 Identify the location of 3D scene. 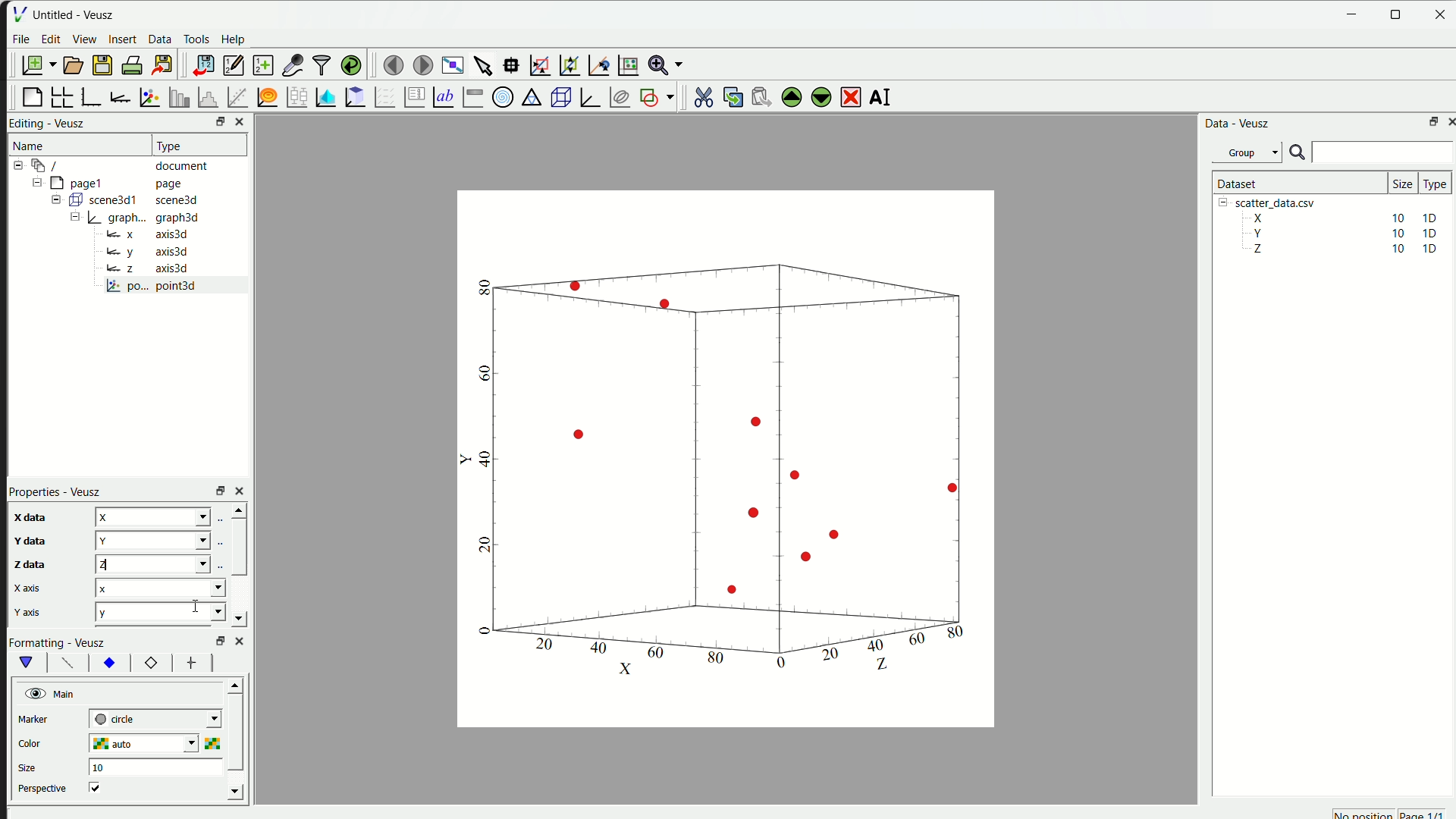
(559, 96).